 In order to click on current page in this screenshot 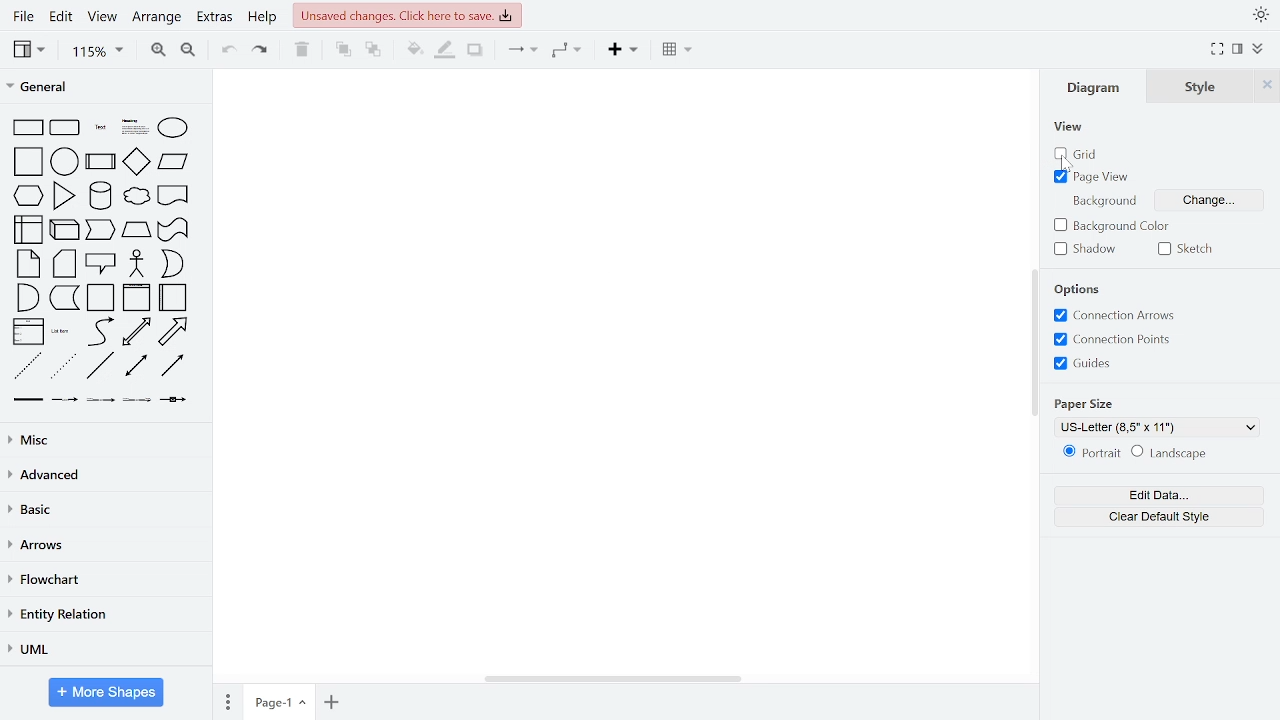, I will do `click(278, 703)`.